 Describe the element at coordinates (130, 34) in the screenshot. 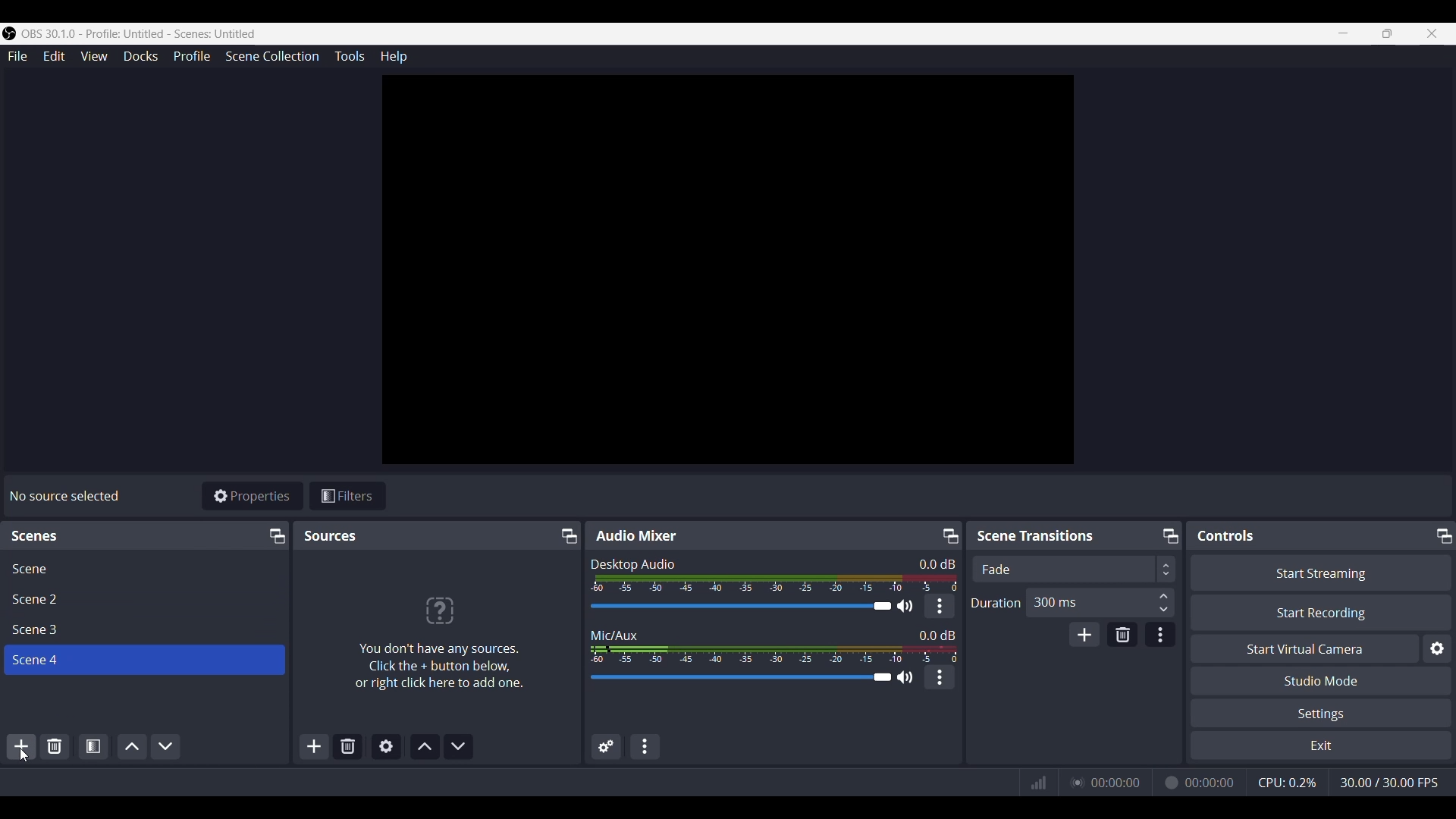

I see `Window Title` at that location.